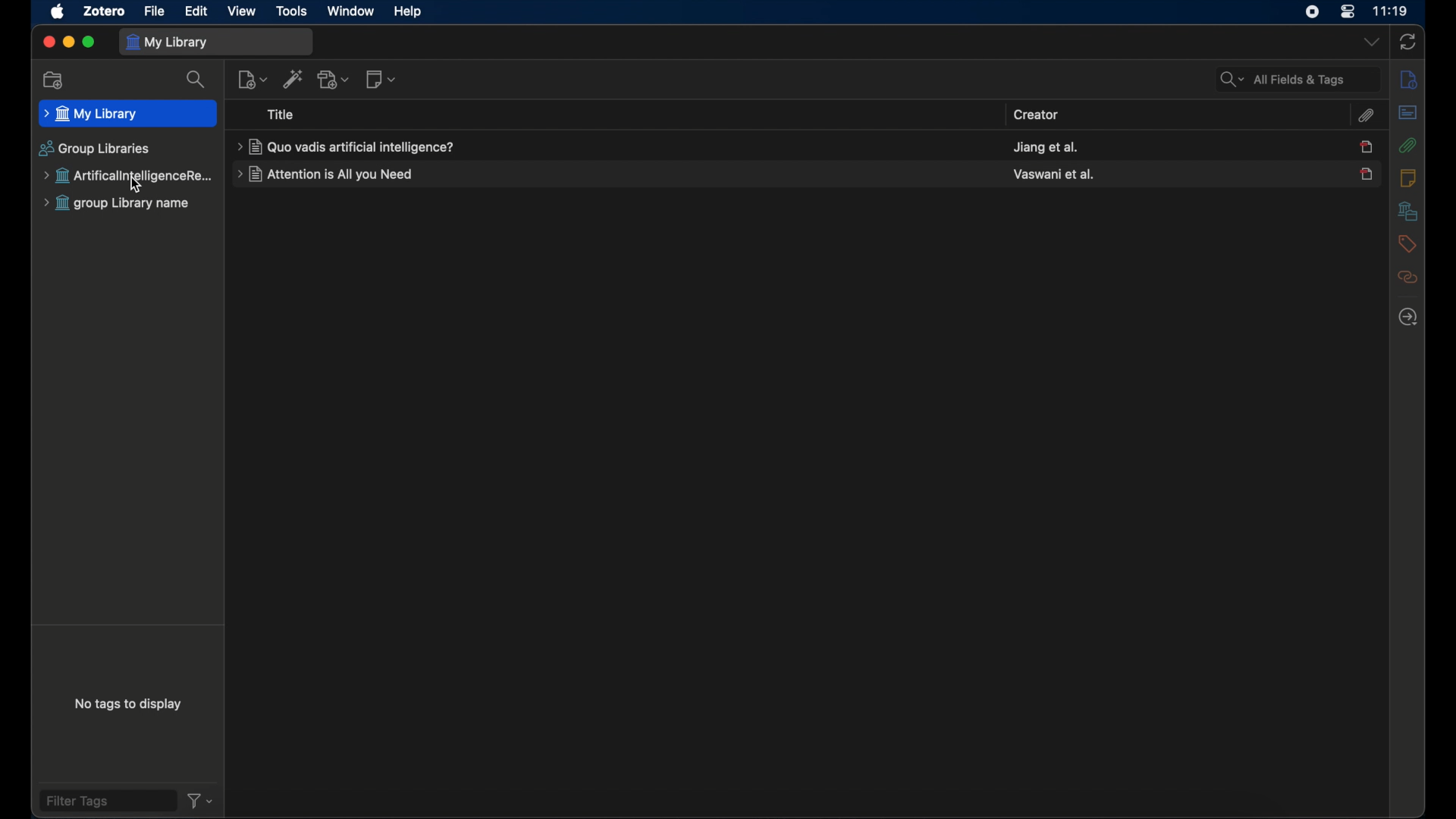 The image size is (1456, 819). Describe the element at coordinates (1406, 277) in the screenshot. I see `related` at that location.